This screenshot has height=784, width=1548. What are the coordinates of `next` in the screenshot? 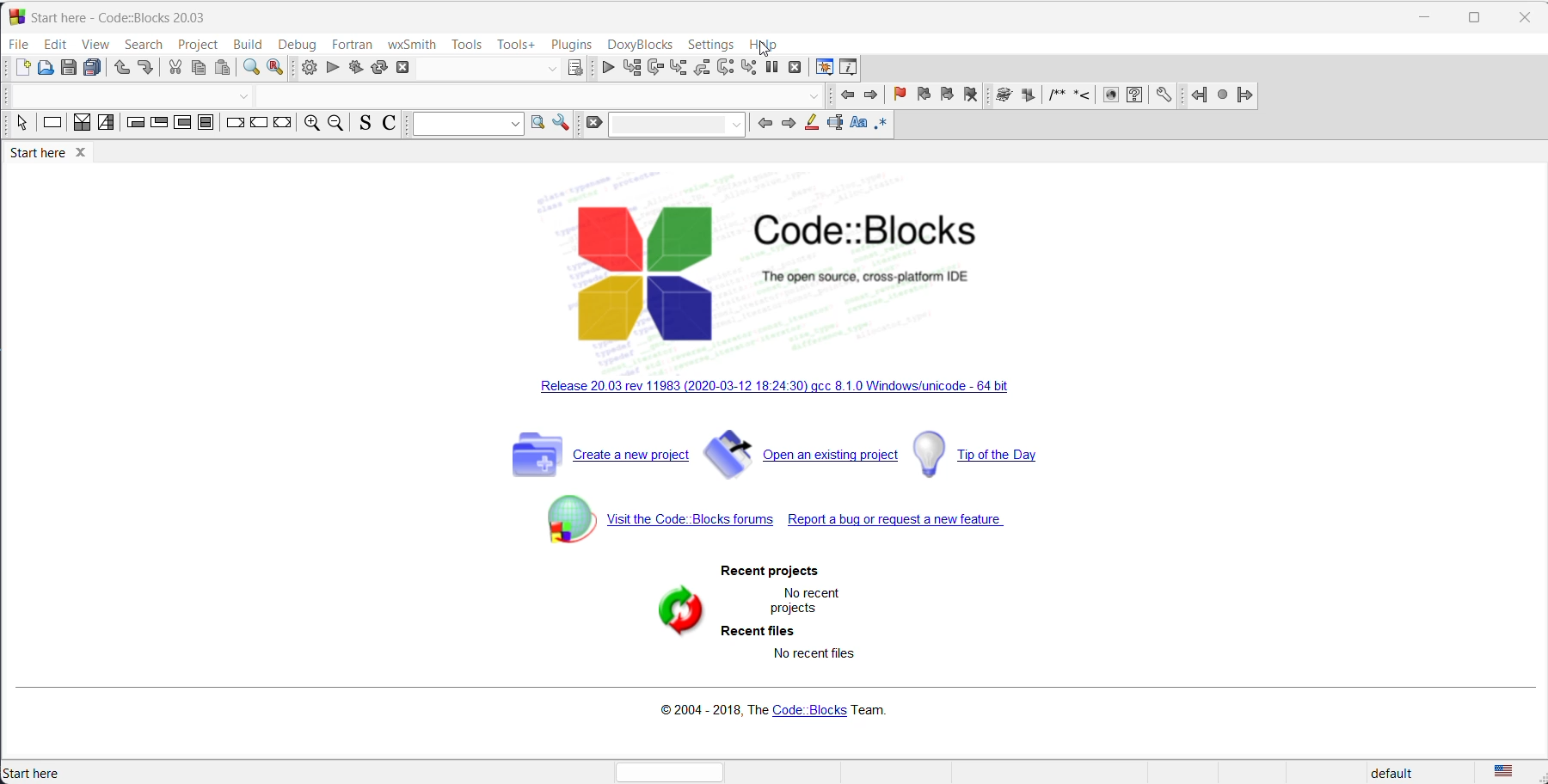 It's located at (873, 95).